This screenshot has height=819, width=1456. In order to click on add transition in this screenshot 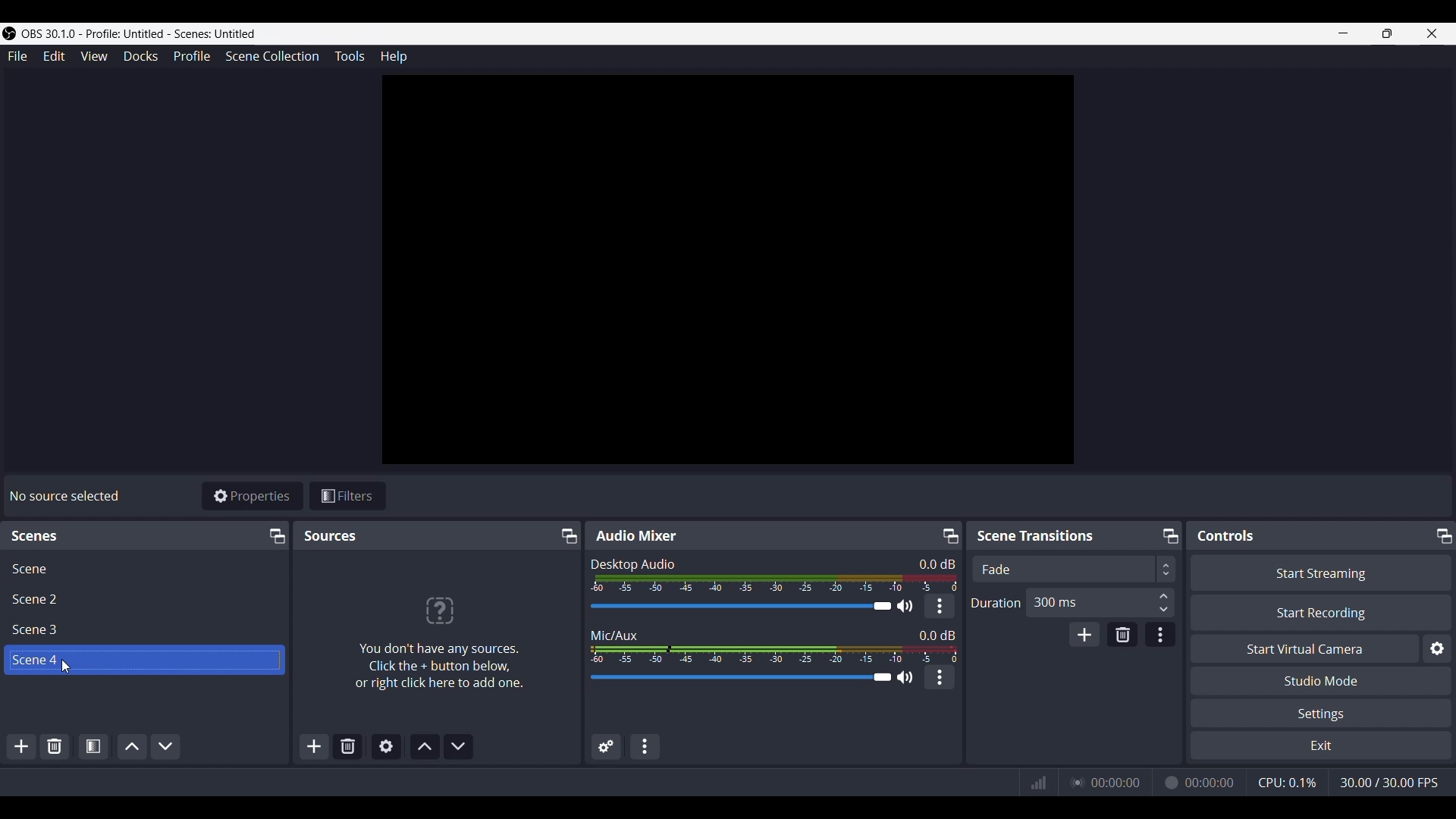, I will do `click(1084, 634)`.